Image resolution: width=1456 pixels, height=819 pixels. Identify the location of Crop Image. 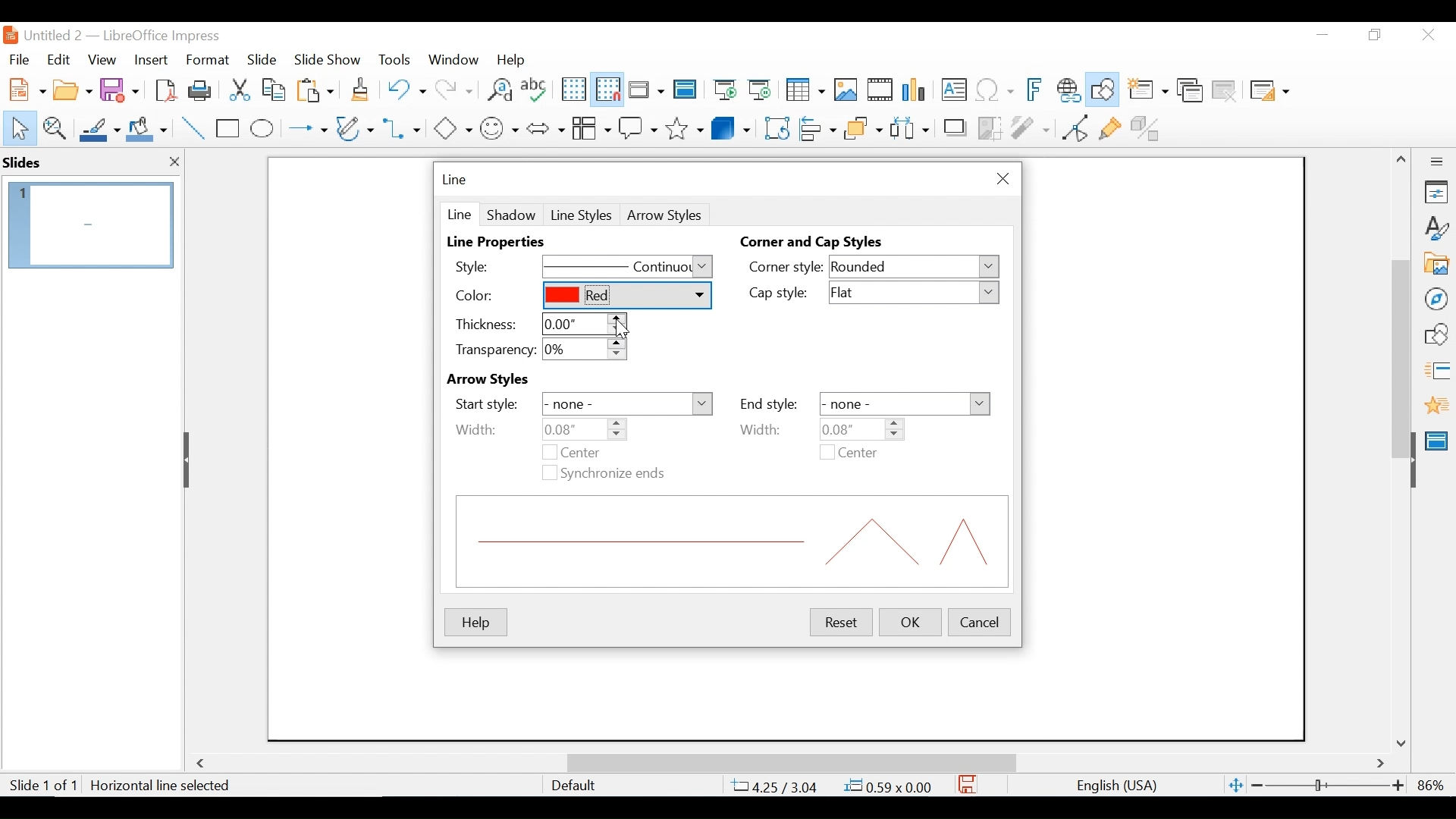
(990, 127).